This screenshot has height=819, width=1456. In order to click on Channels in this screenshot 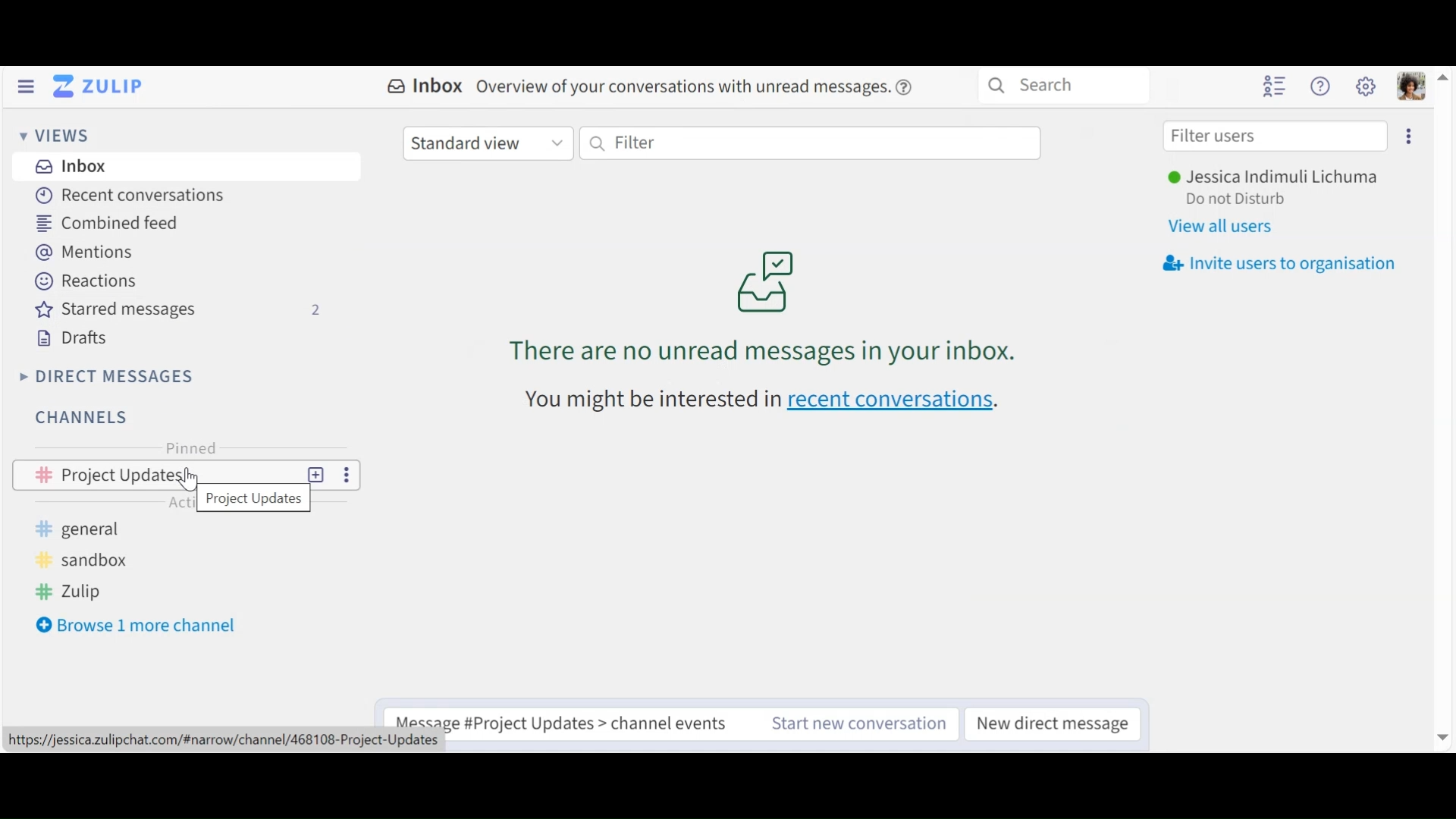, I will do `click(80, 417)`.